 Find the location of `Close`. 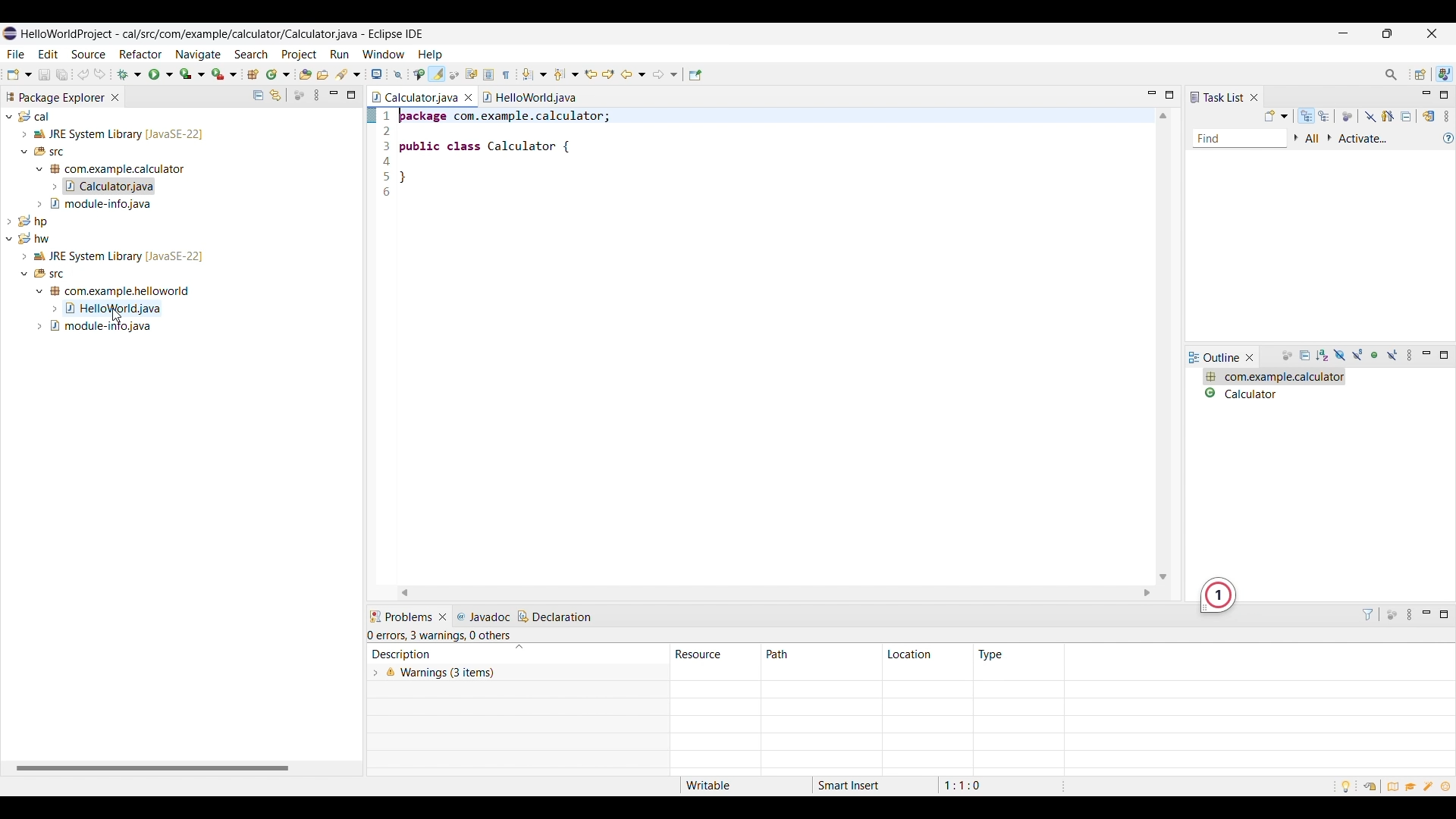

Close is located at coordinates (443, 617).